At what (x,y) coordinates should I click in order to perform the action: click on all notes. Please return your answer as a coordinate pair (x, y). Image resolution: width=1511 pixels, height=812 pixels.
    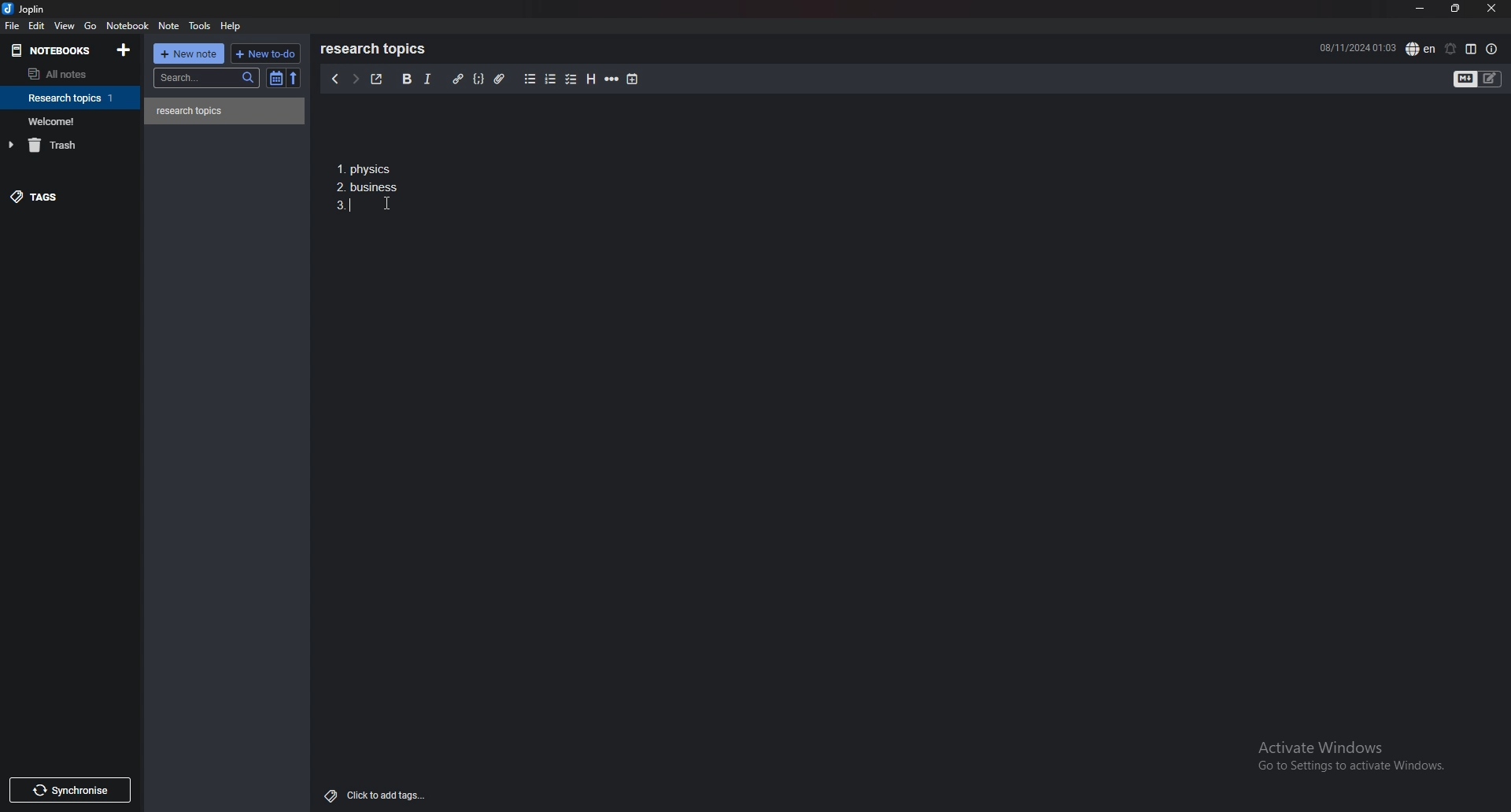
    Looking at the image, I should click on (65, 75).